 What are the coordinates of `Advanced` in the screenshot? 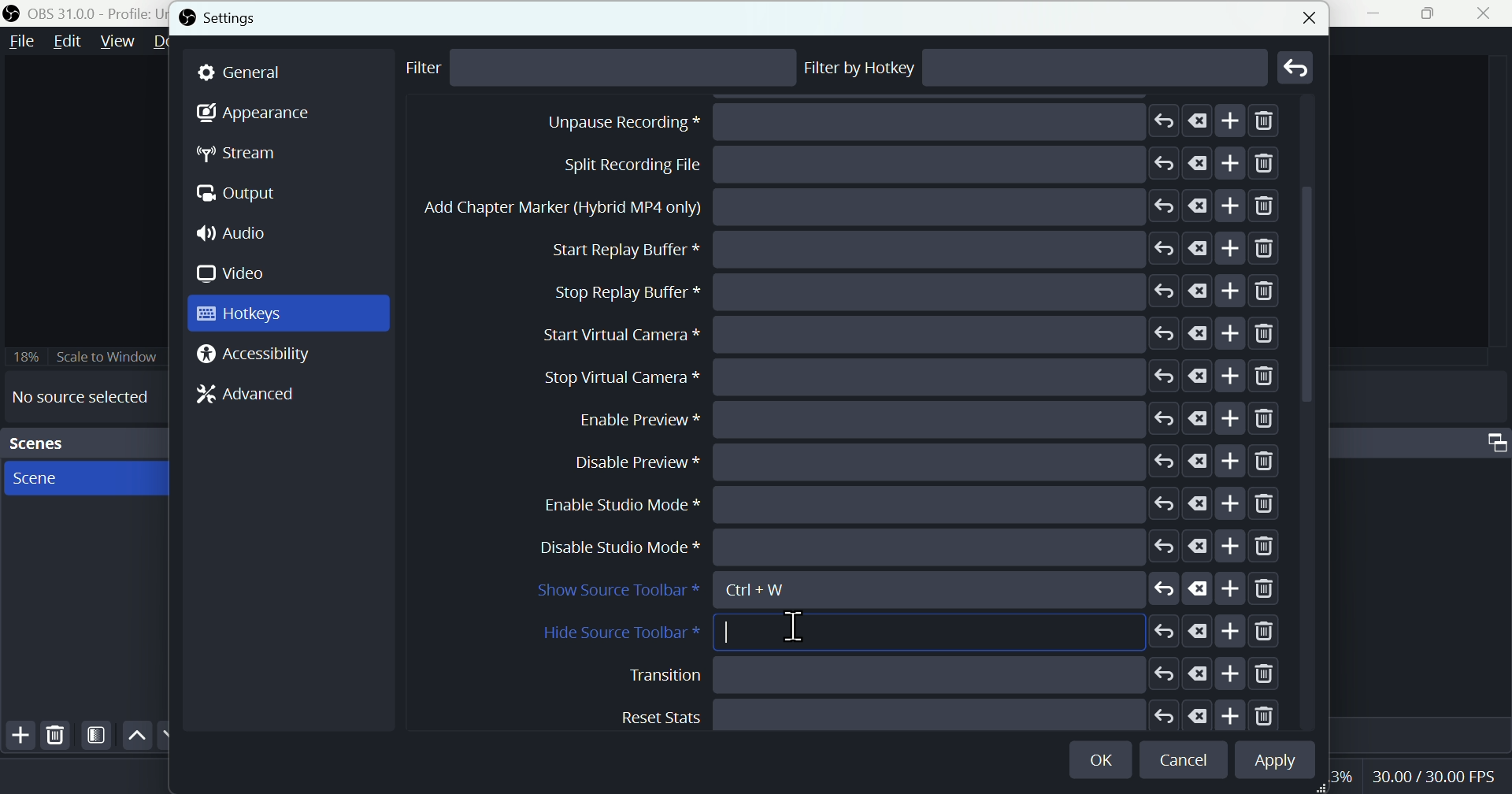 It's located at (239, 398).